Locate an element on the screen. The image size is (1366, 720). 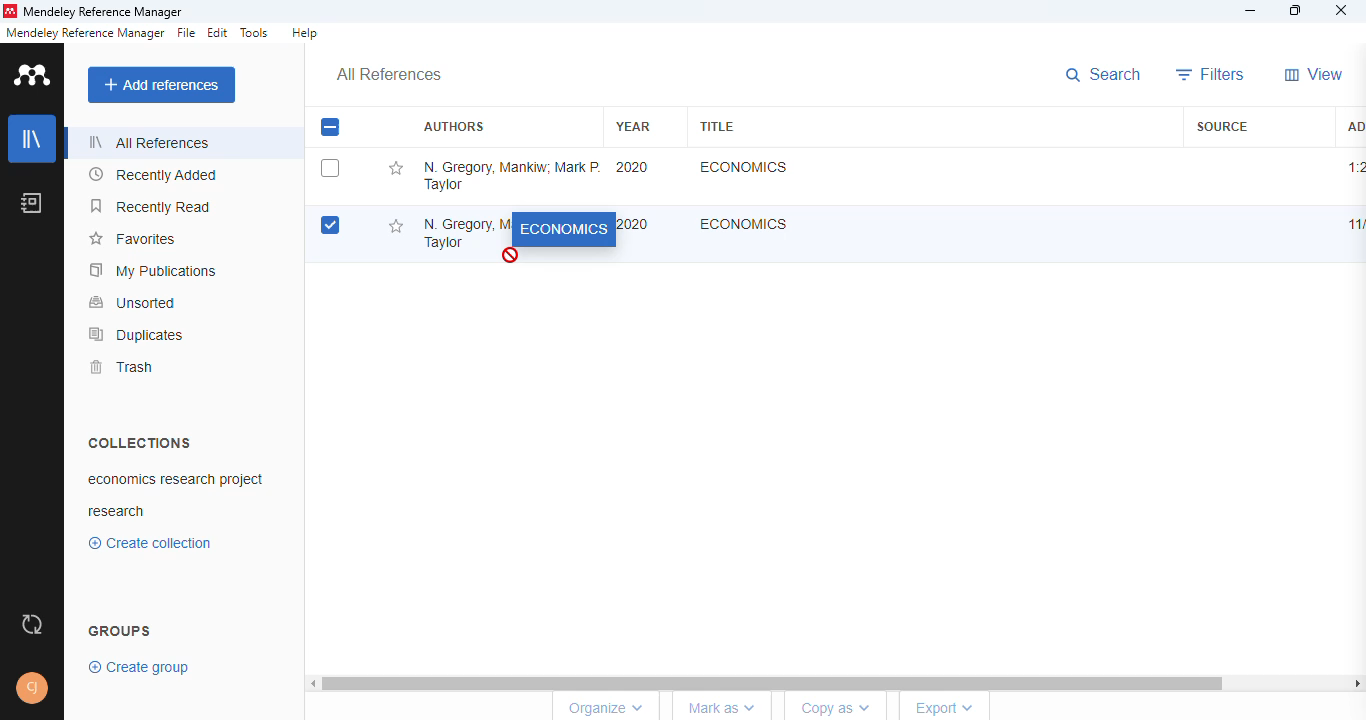
new research project created is located at coordinates (174, 479).